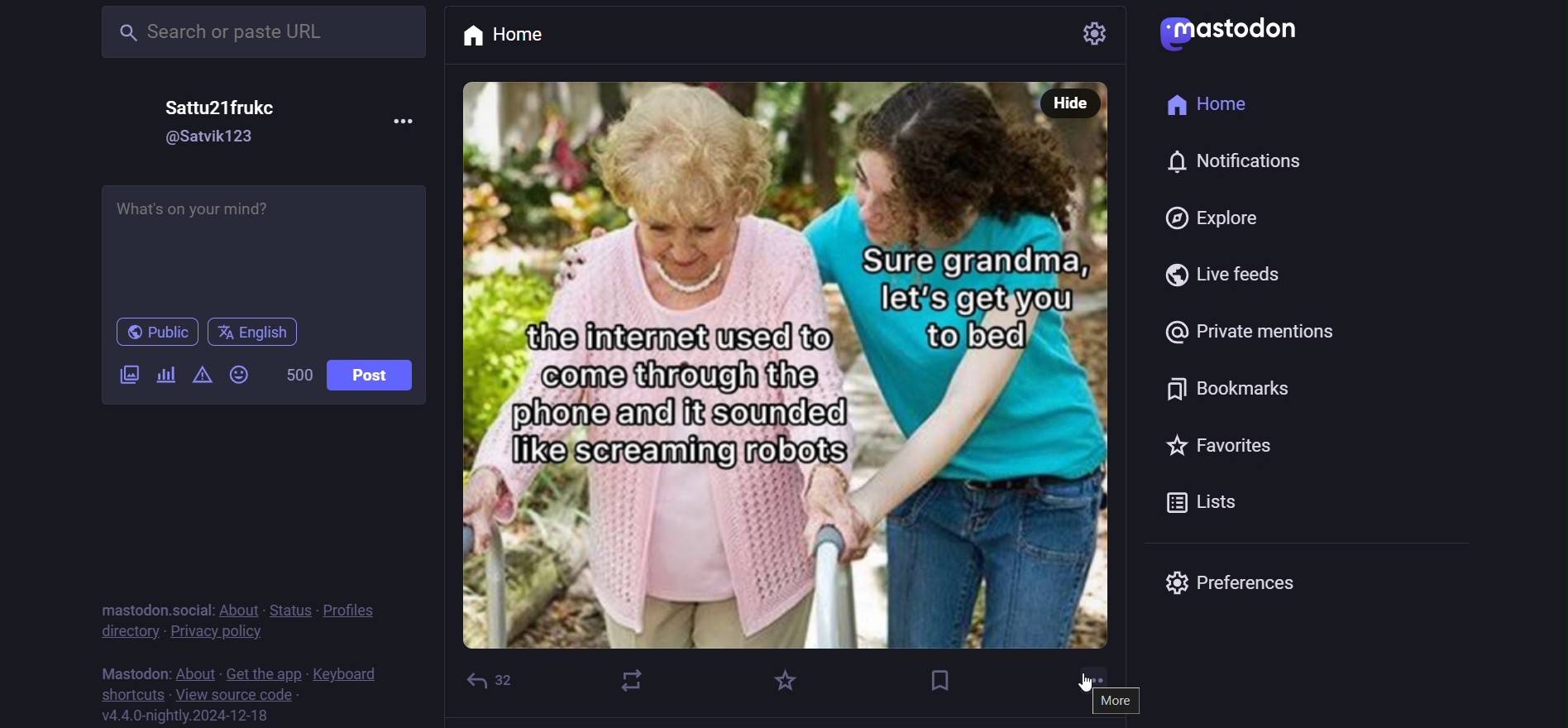 This screenshot has width=1568, height=728. I want to click on boost, so click(631, 680).